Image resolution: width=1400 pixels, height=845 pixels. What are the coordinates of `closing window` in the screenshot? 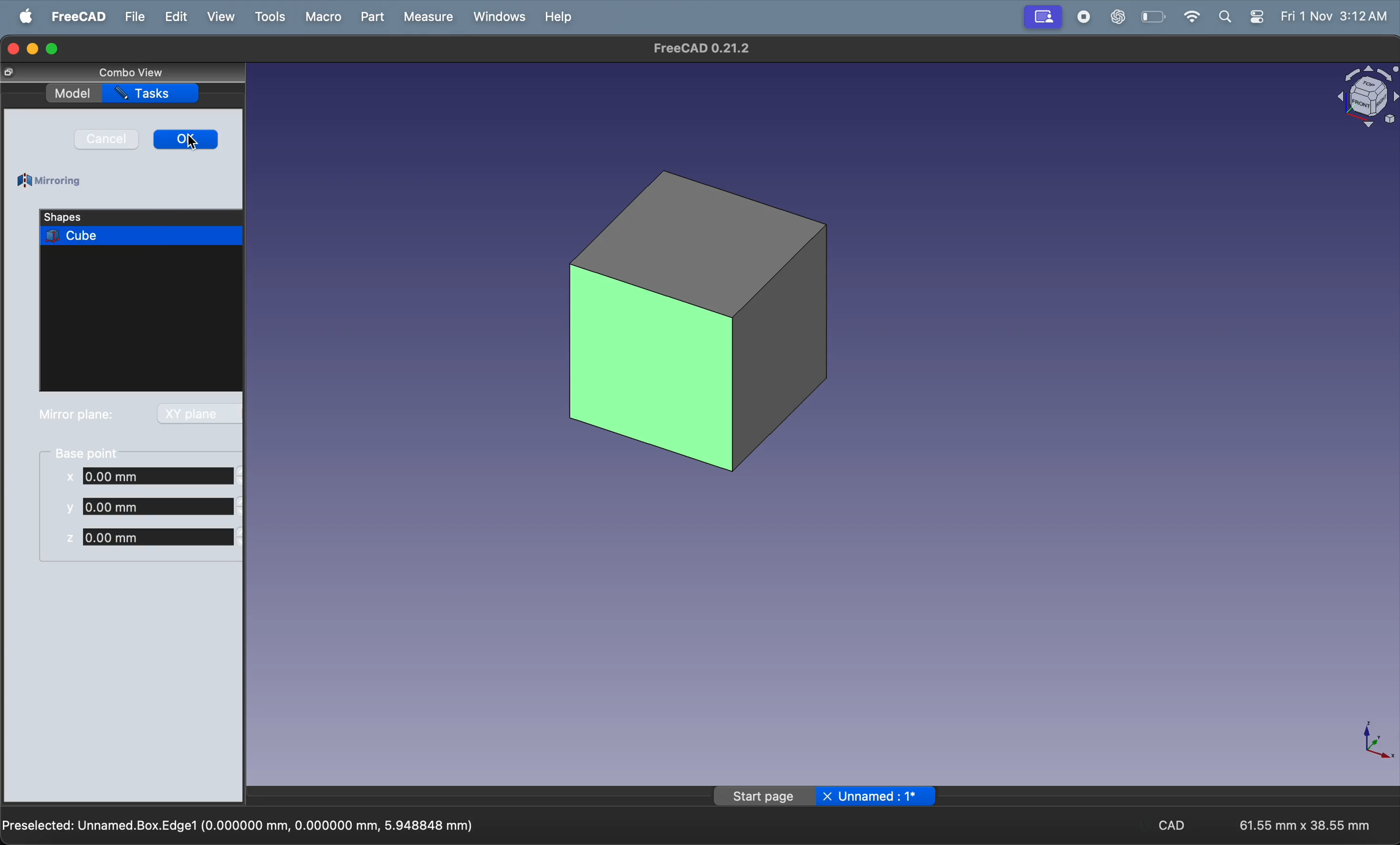 It's located at (11, 49).